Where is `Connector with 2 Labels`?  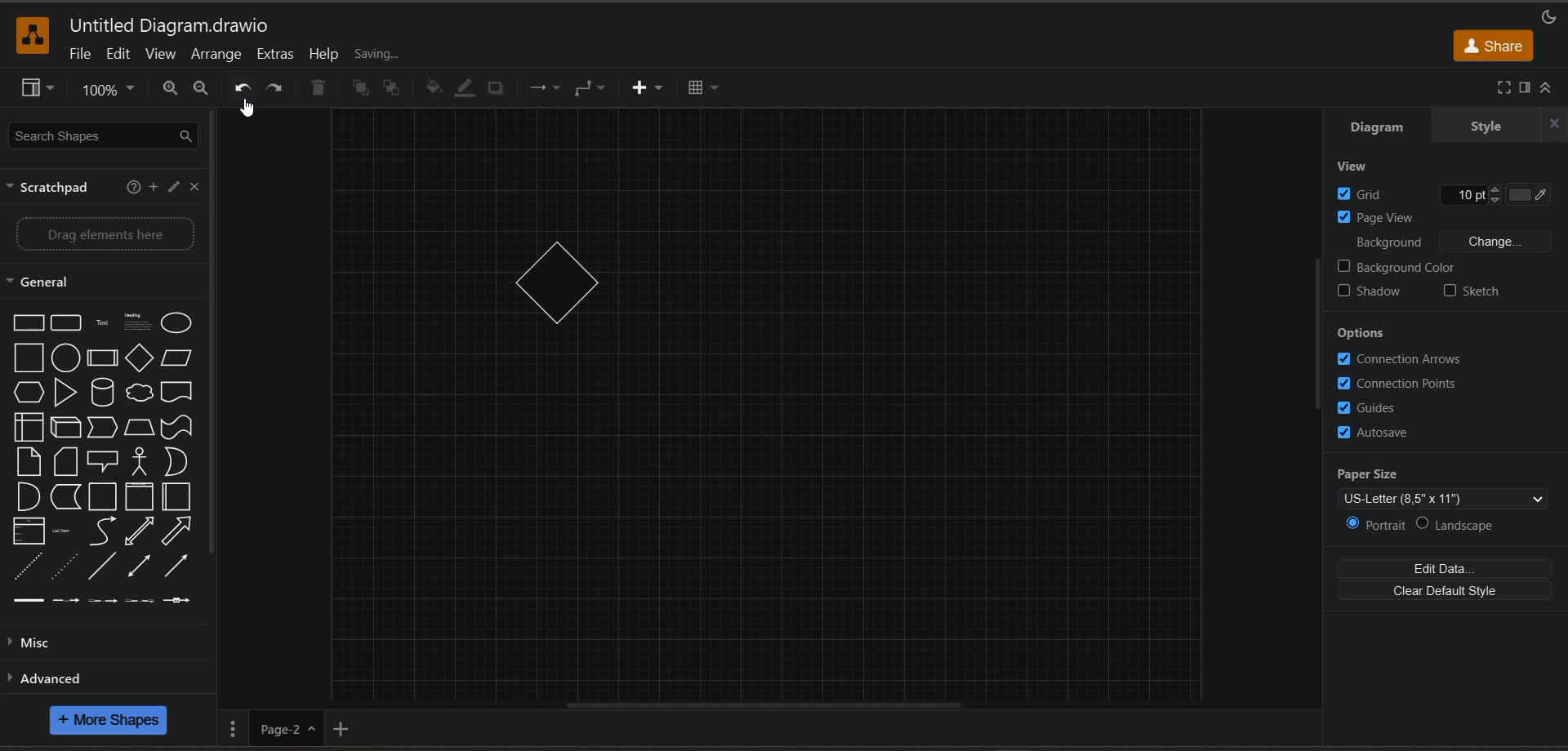
Connector with 2 Labels is located at coordinates (102, 600).